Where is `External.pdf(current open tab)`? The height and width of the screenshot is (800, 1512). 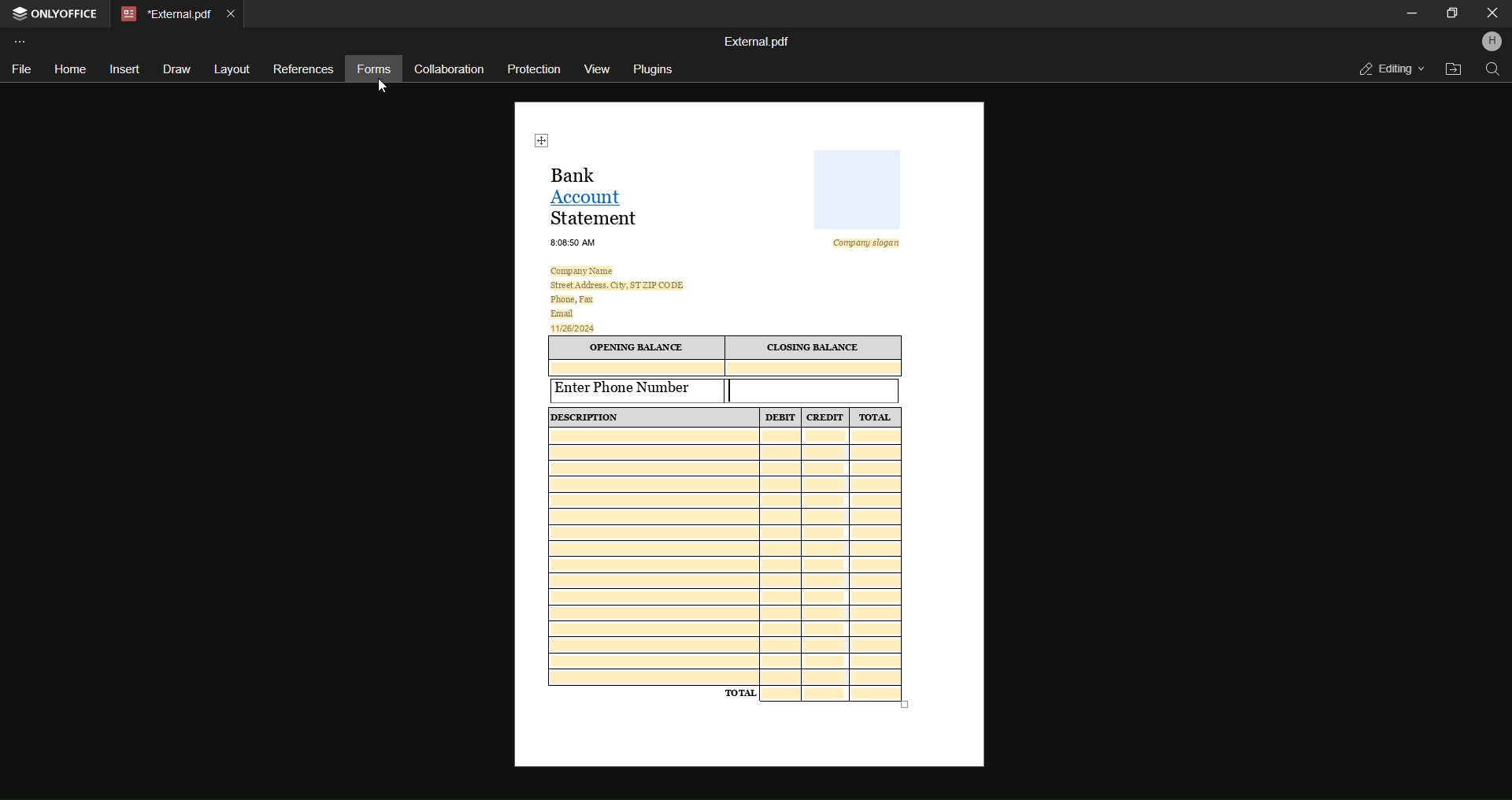
External.pdf(current open tab) is located at coordinates (164, 15).